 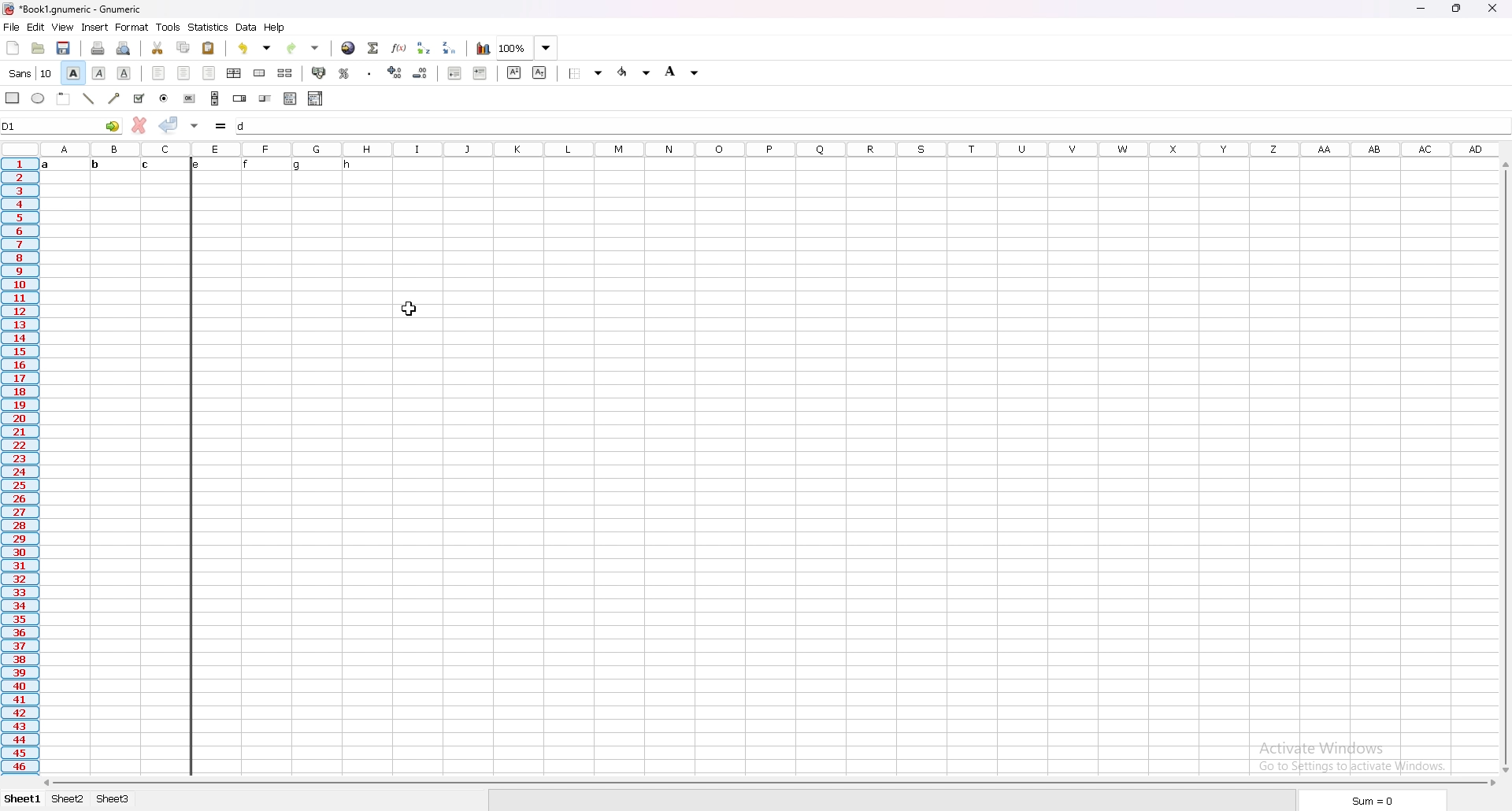 I want to click on cancel changes, so click(x=139, y=124).